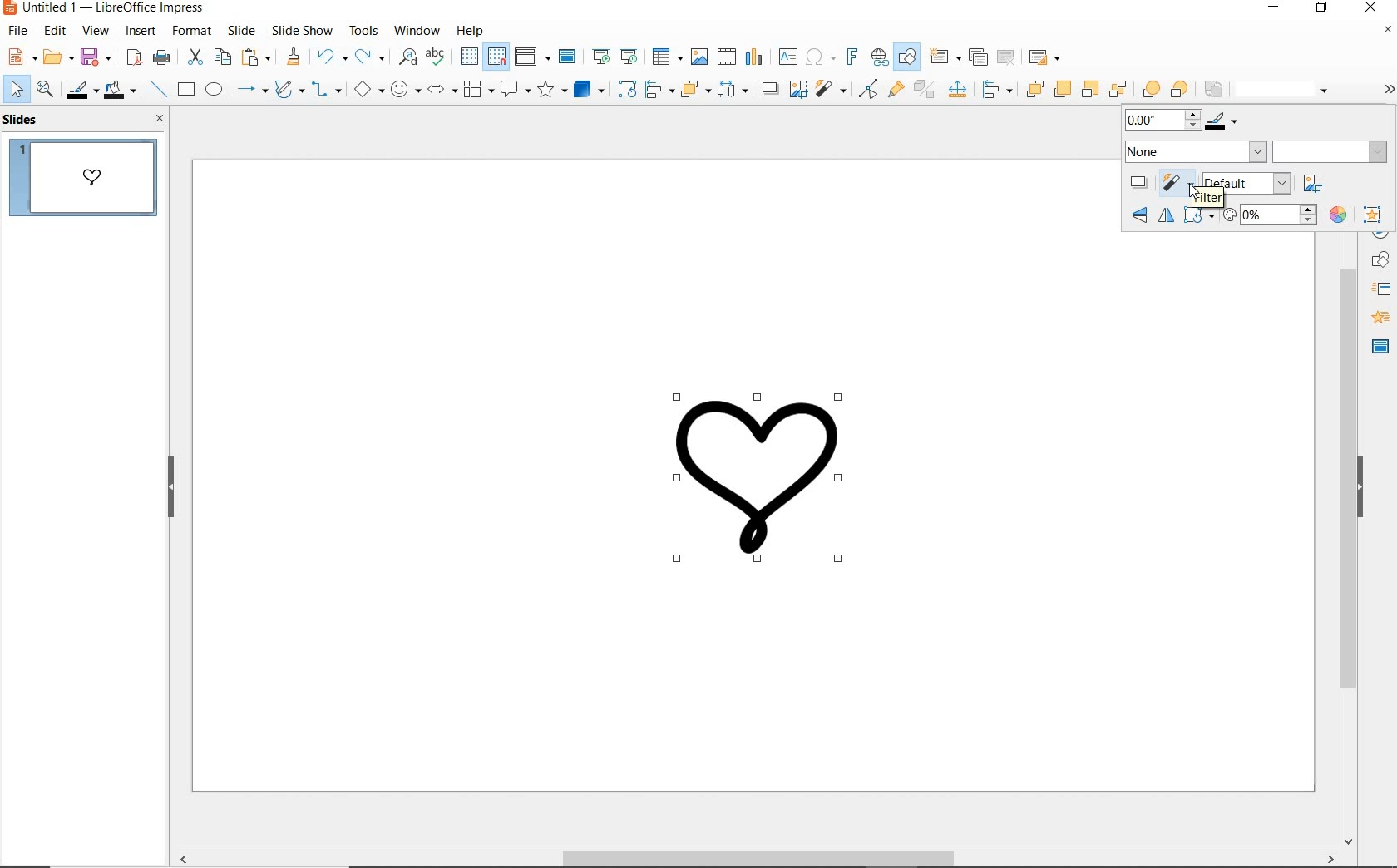  I want to click on shadow, so click(769, 86).